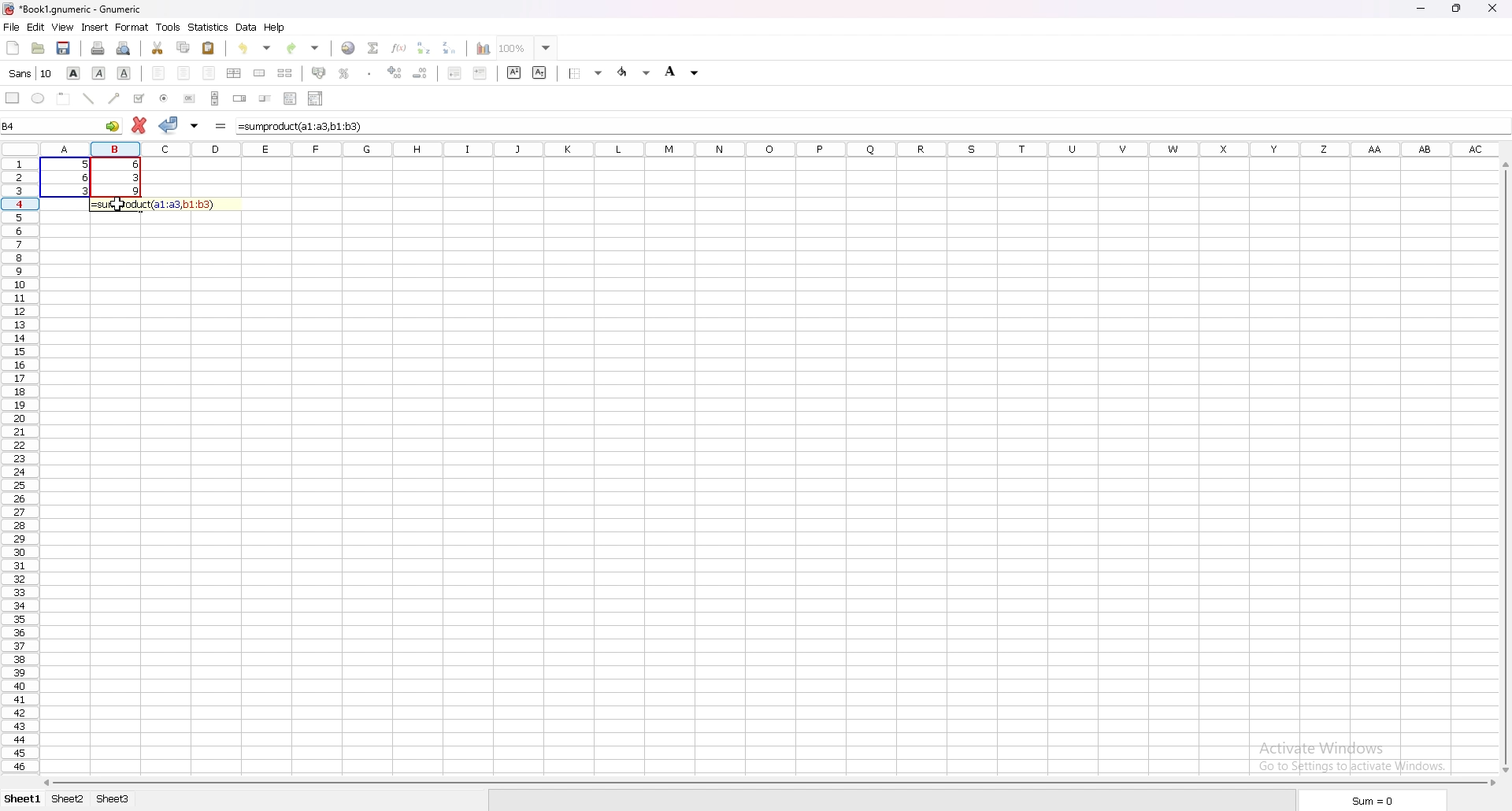  Describe the element at coordinates (373, 48) in the screenshot. I see `summation` at that location.